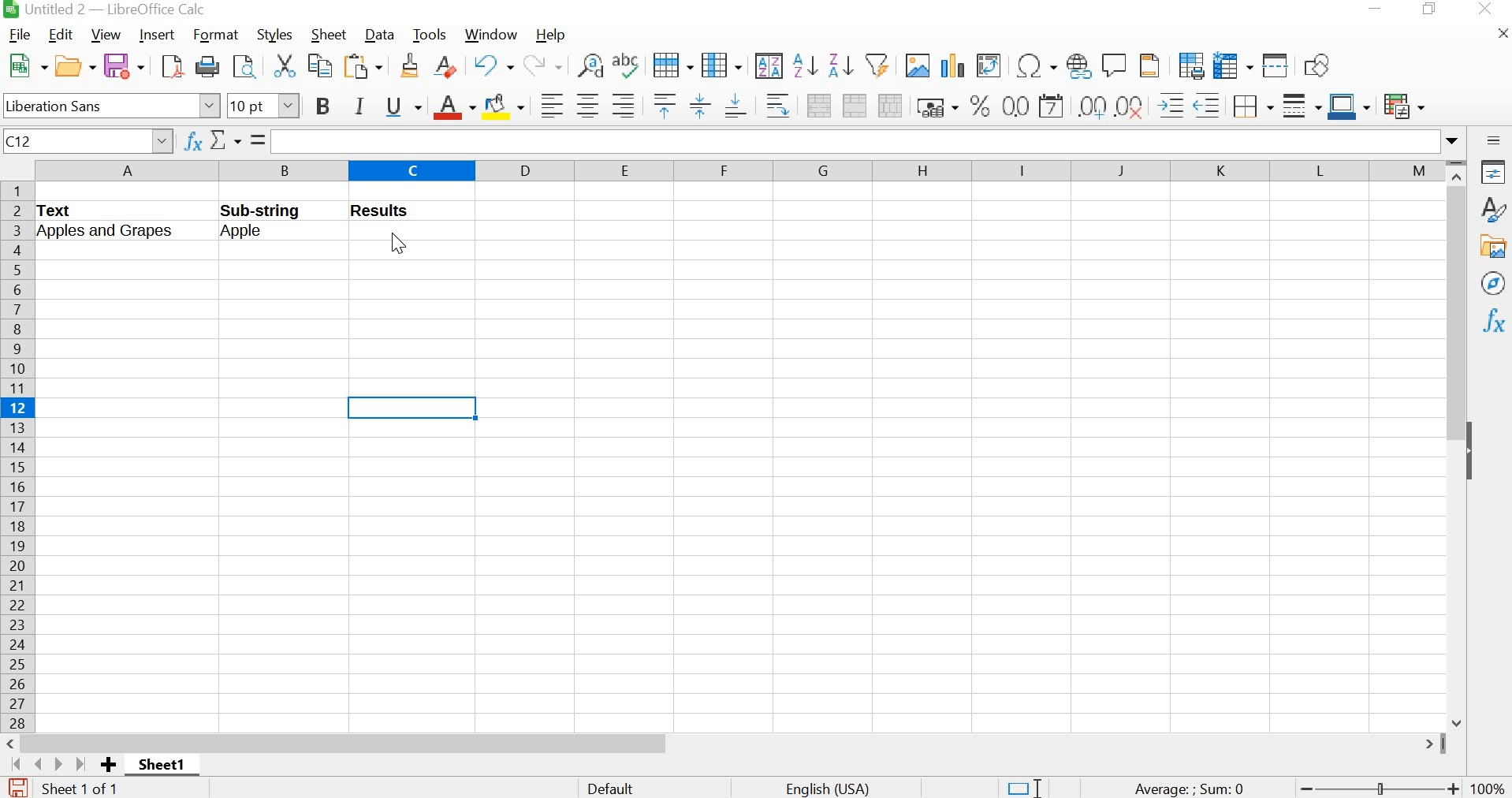 Image resolution: width=1512 pixels, height=798 pixels. What do you see at coordinates (125, 65) in the screenshot?
I see `save` at bounding box center [125, 65].